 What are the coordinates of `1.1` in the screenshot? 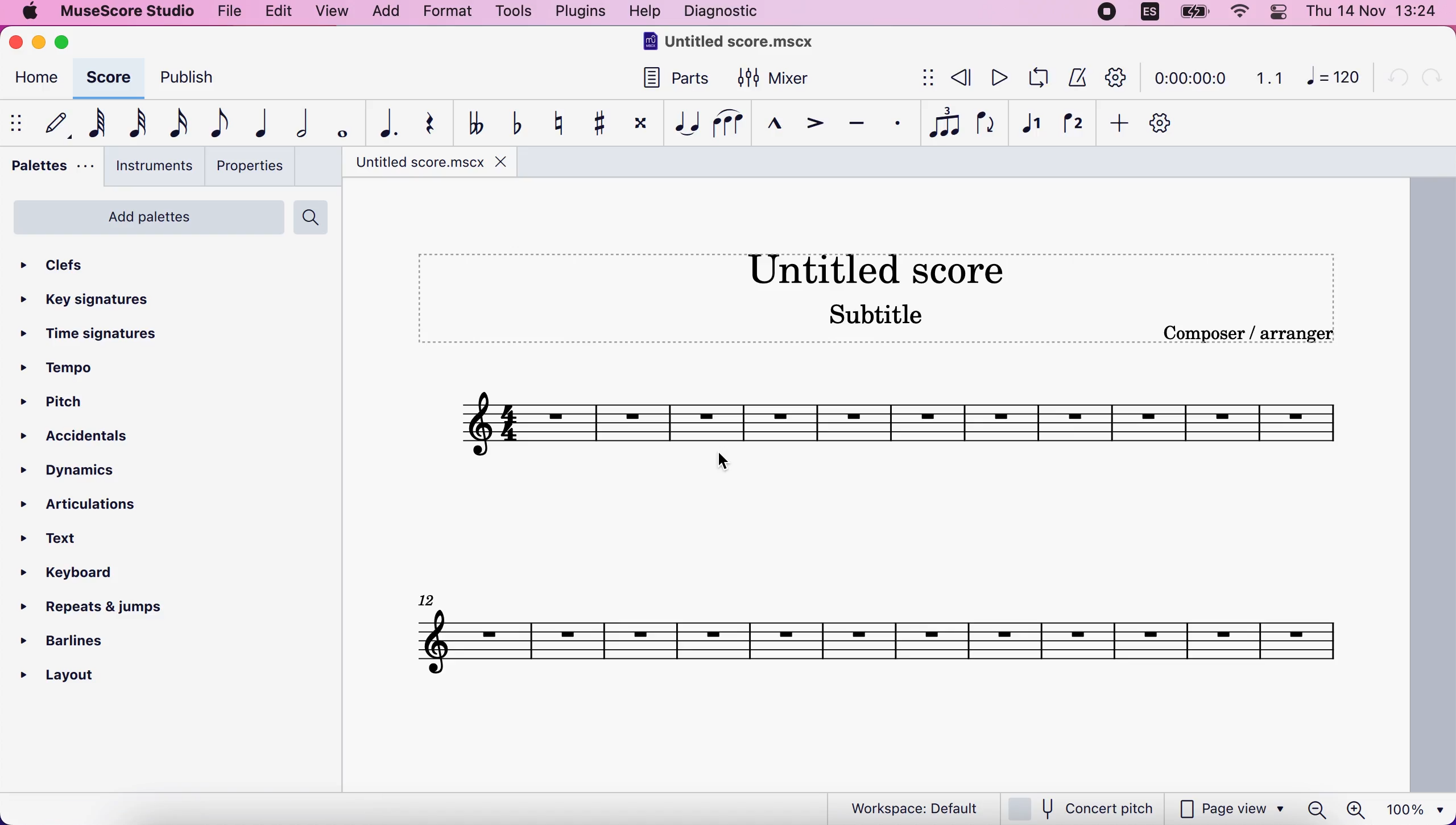 It's located at (1271, 83).